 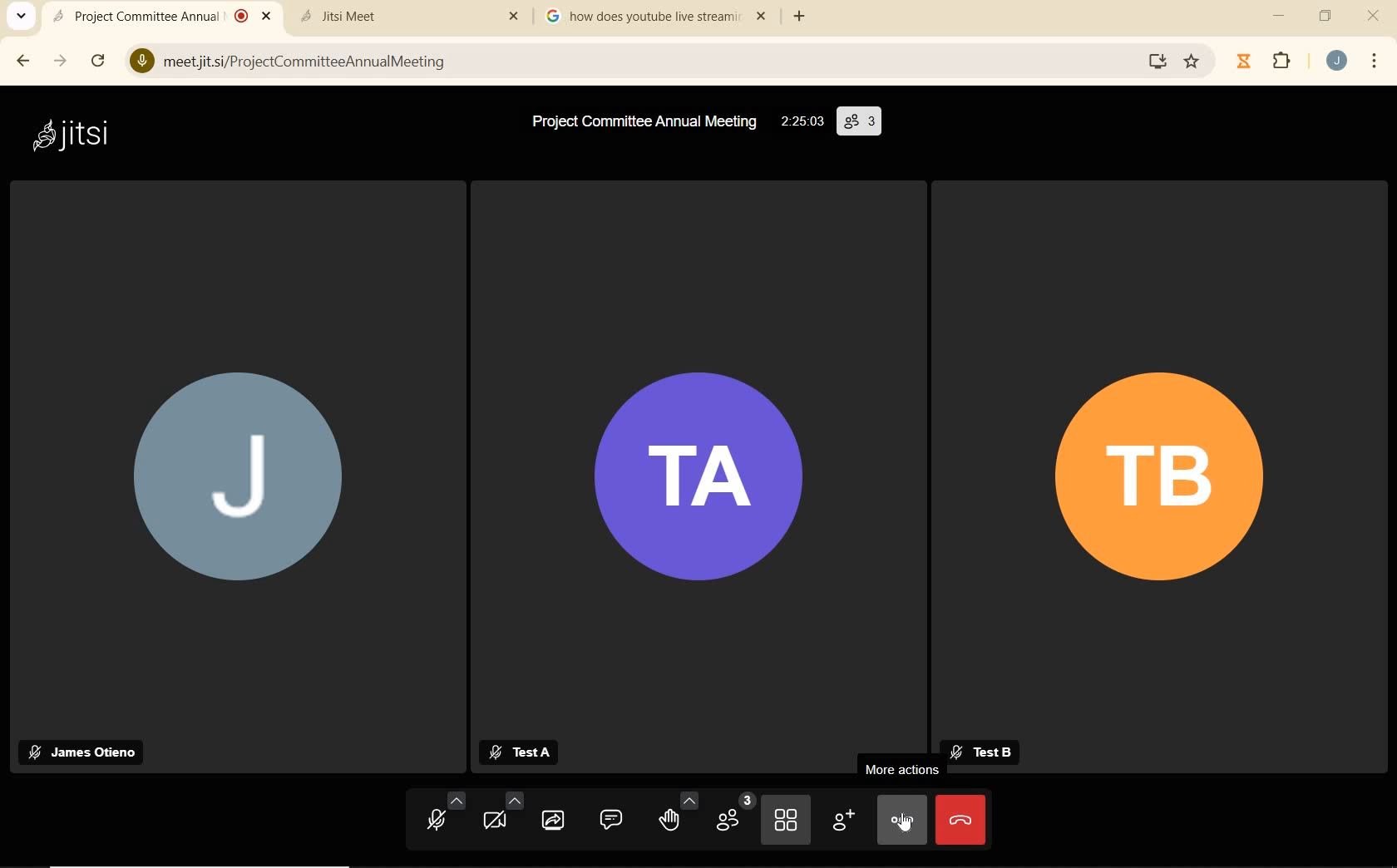 I want to click on Microphone, so click(x=141, y=62).